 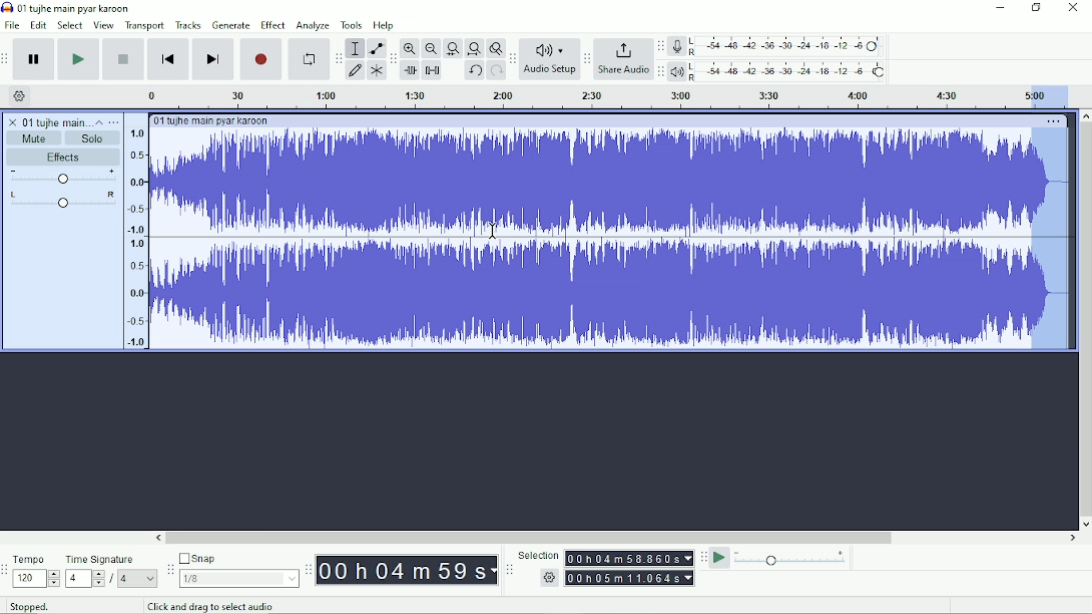 What do you see at coordinates (112, 579) in the screenshot?
I see `/` at bounding box center [112, 579].